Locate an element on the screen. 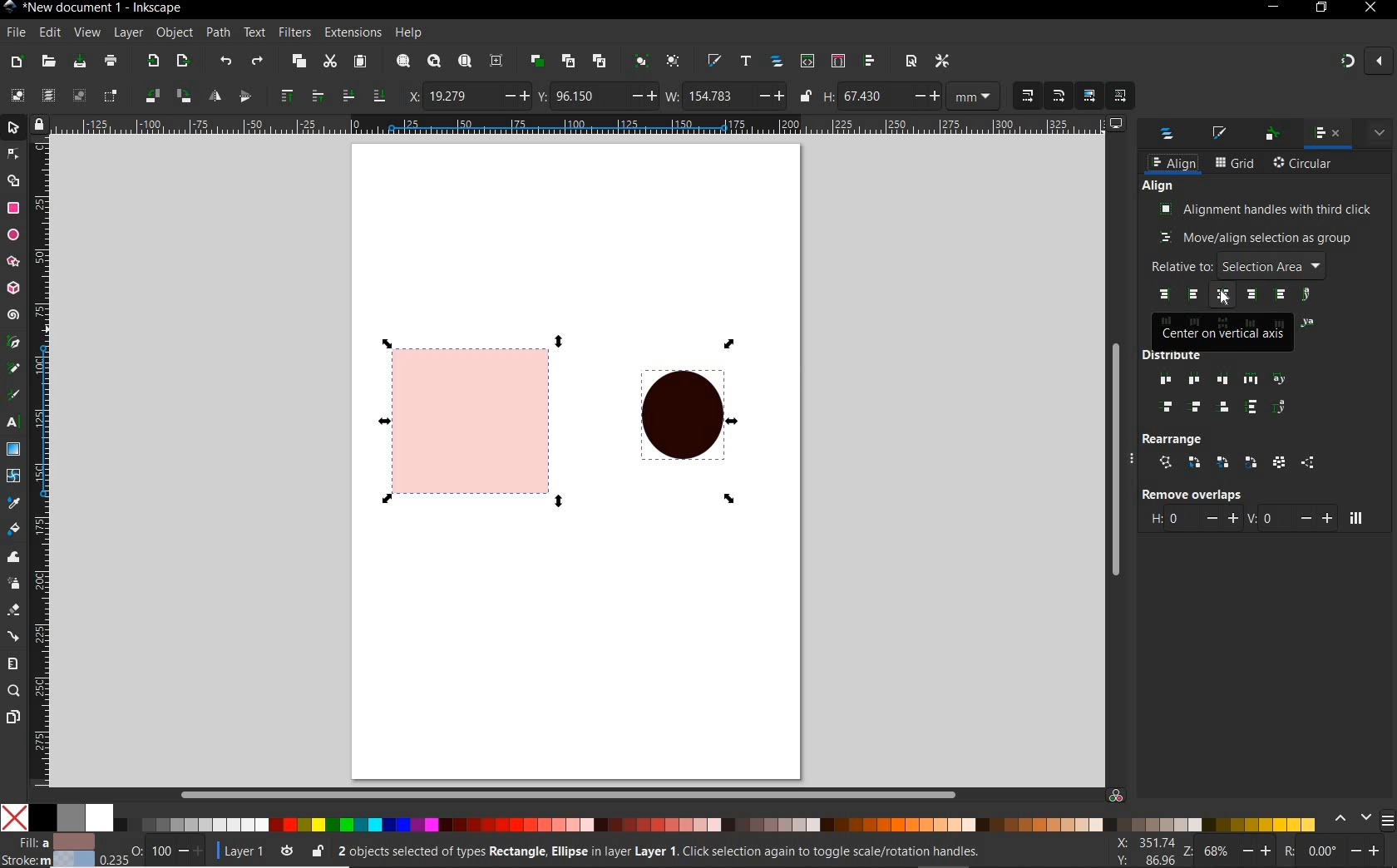  ALIGN LEFT EDGES is located at coordinates (1195, 295).